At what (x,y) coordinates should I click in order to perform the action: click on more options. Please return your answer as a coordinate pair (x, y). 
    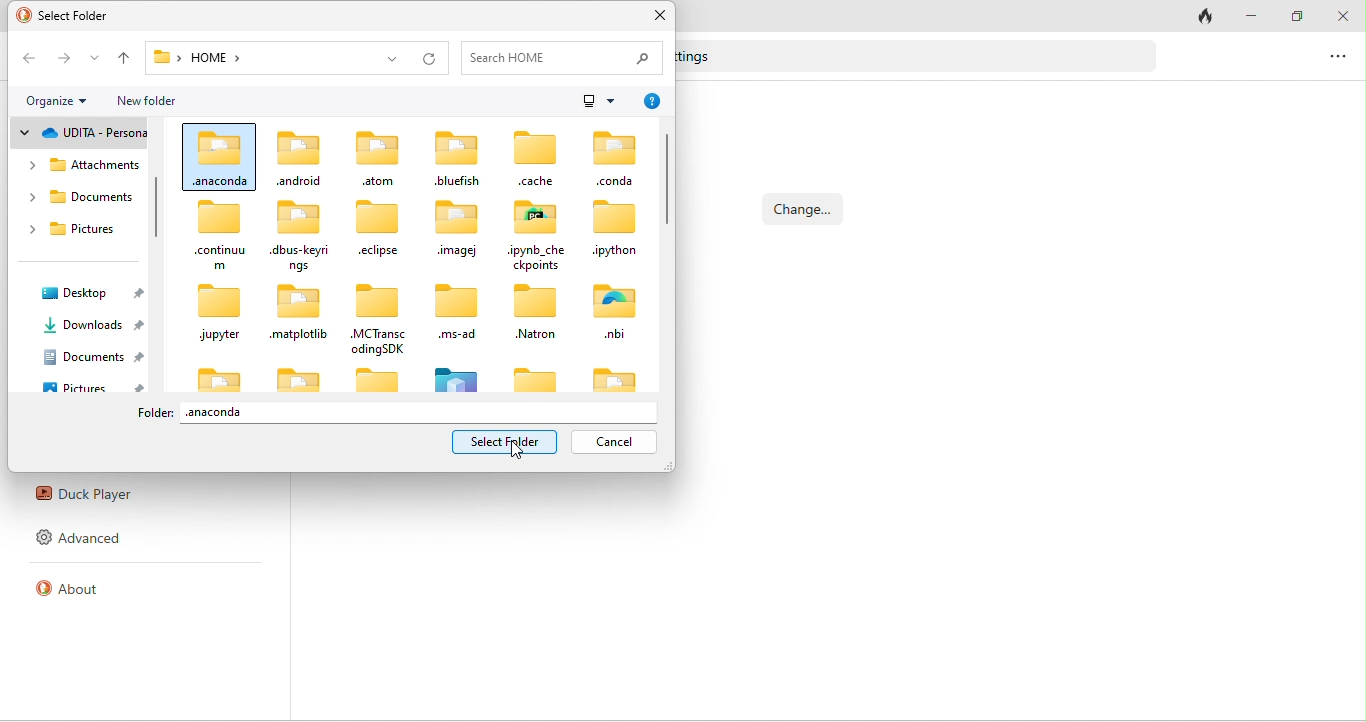
    Looking at the image, I should click on (1335, 56).